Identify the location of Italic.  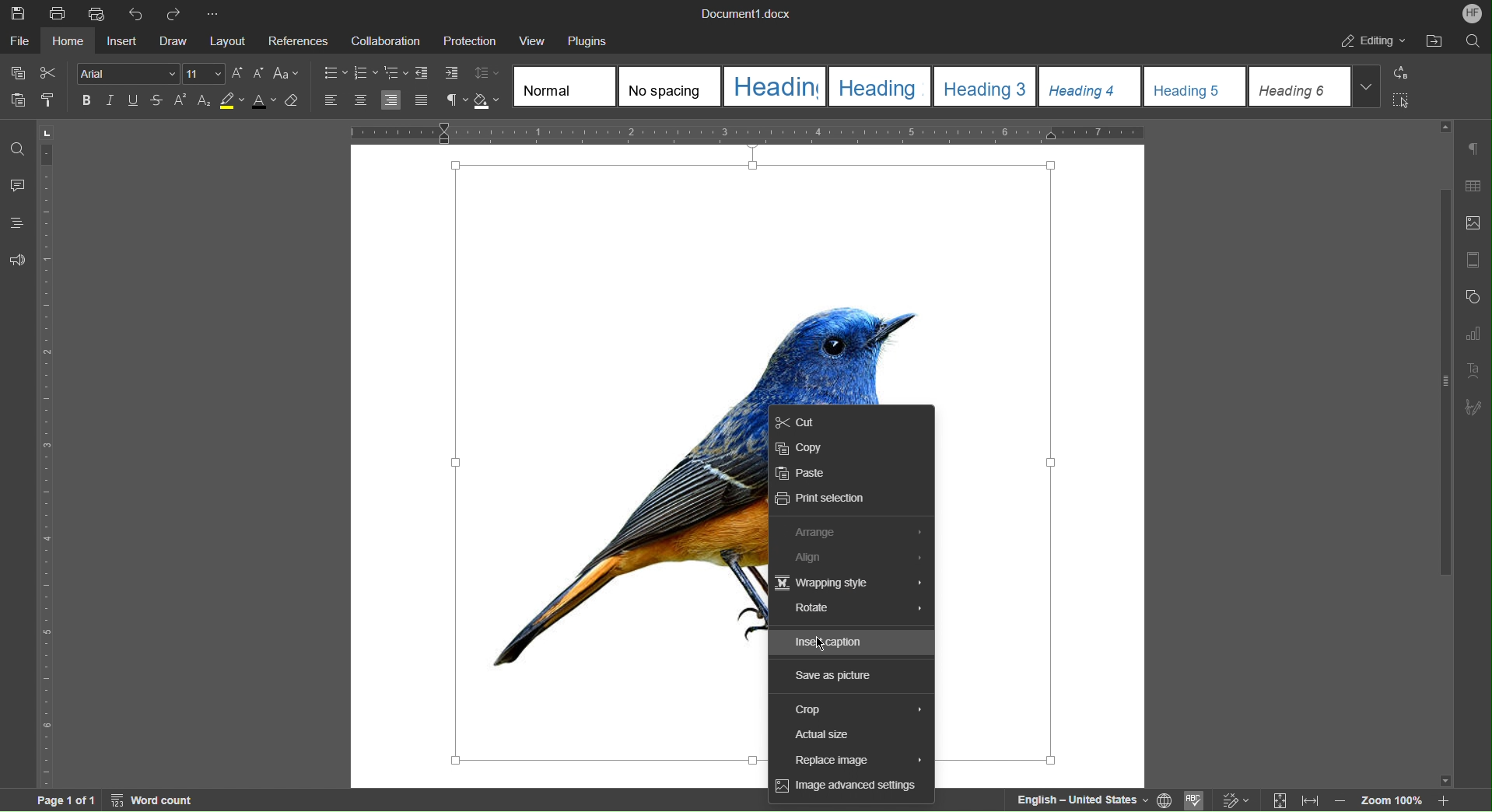
(110, 100).